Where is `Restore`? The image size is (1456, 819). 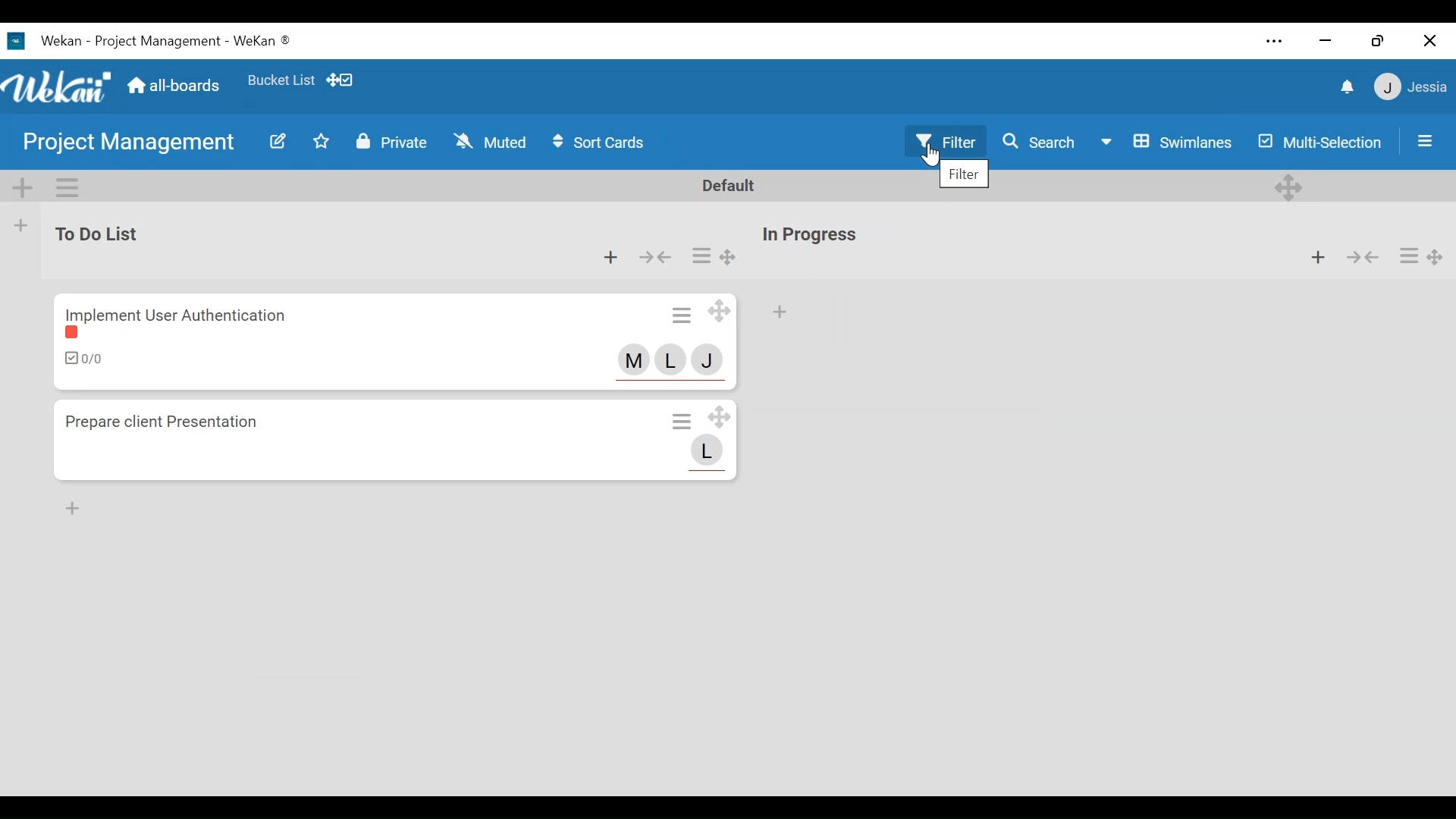 Restore is located at coordinates (1376, 40).